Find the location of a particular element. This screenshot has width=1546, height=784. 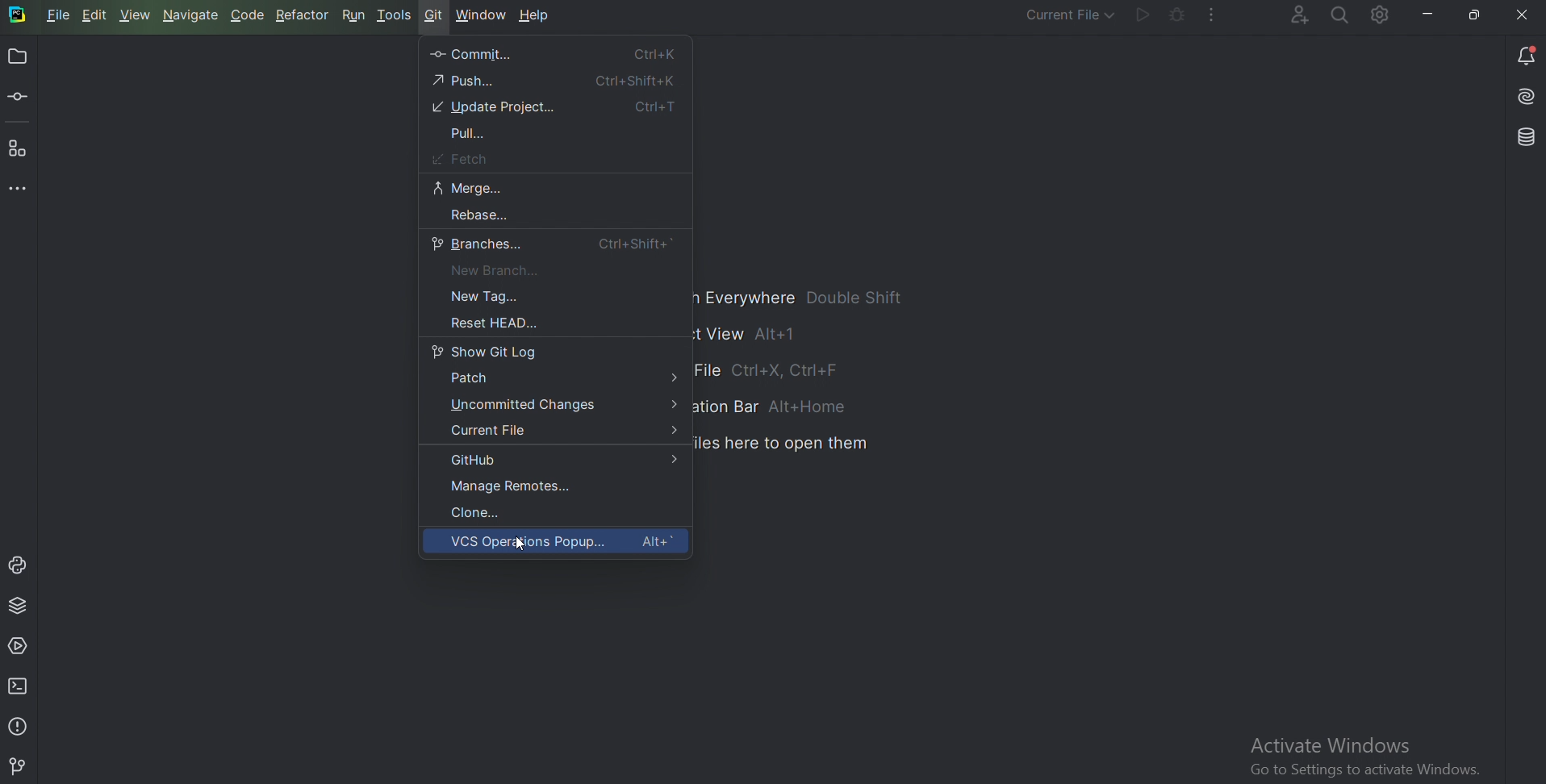

New tag is located at coordinates (504, 296).